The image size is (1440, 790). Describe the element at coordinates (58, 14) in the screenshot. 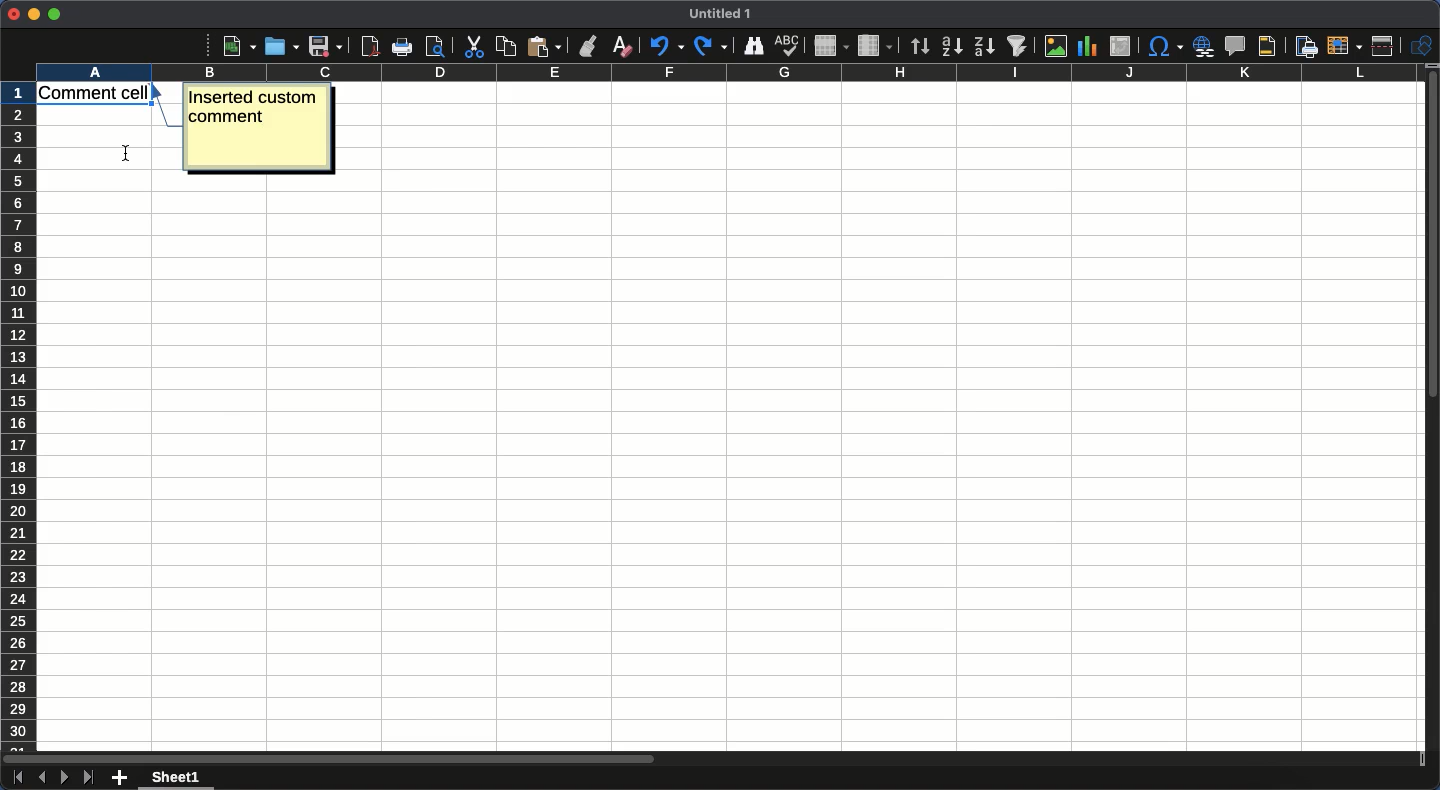

I see `Maximize` at that location.